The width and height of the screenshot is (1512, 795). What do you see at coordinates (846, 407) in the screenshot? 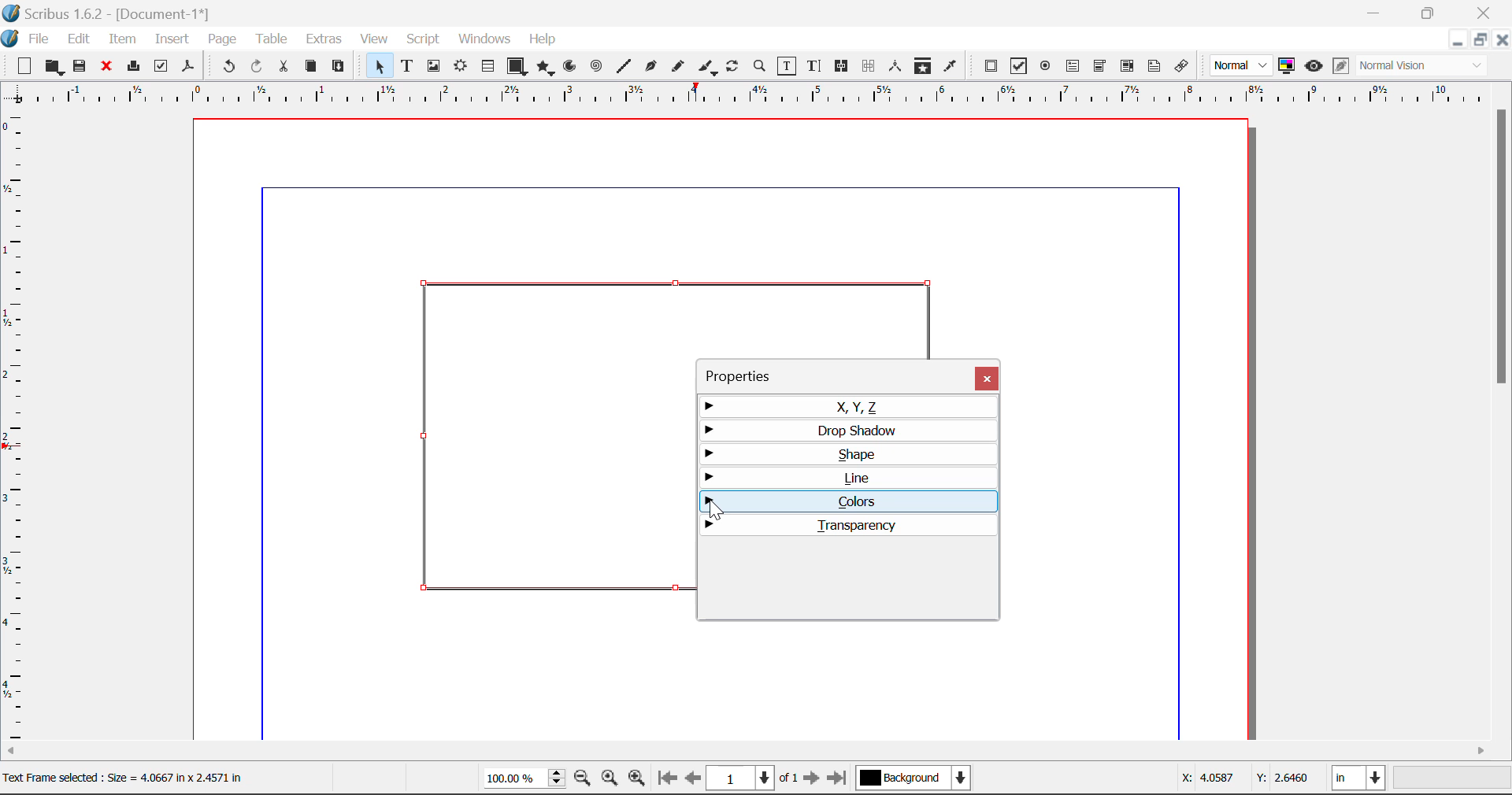
I see `X, Y, Z` at bounding box center [846, 407].